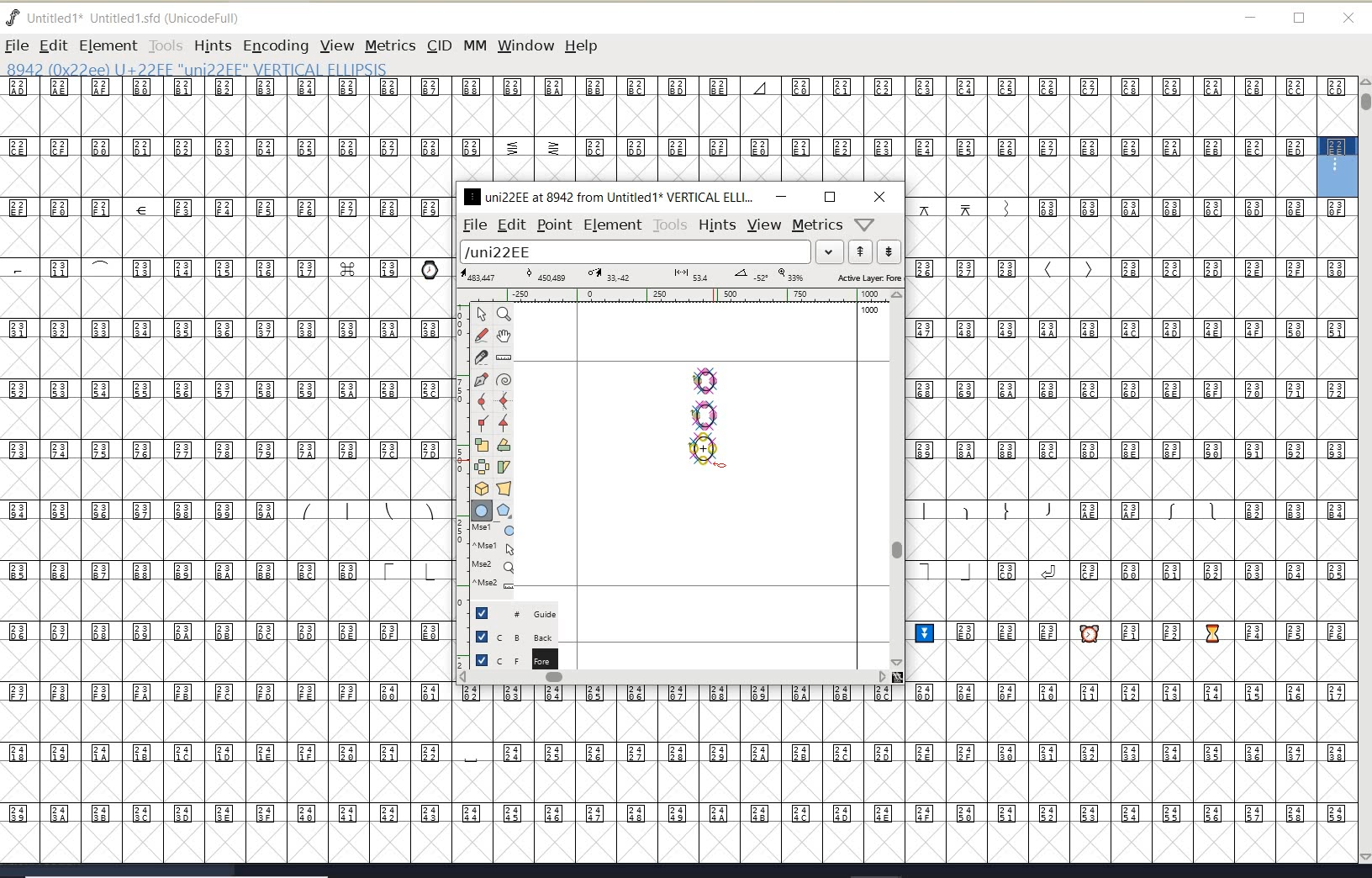 The image size is (1372, 878). Describe the element at coordinates (514, 658) in the screenshot. I see `foreground` at that location.